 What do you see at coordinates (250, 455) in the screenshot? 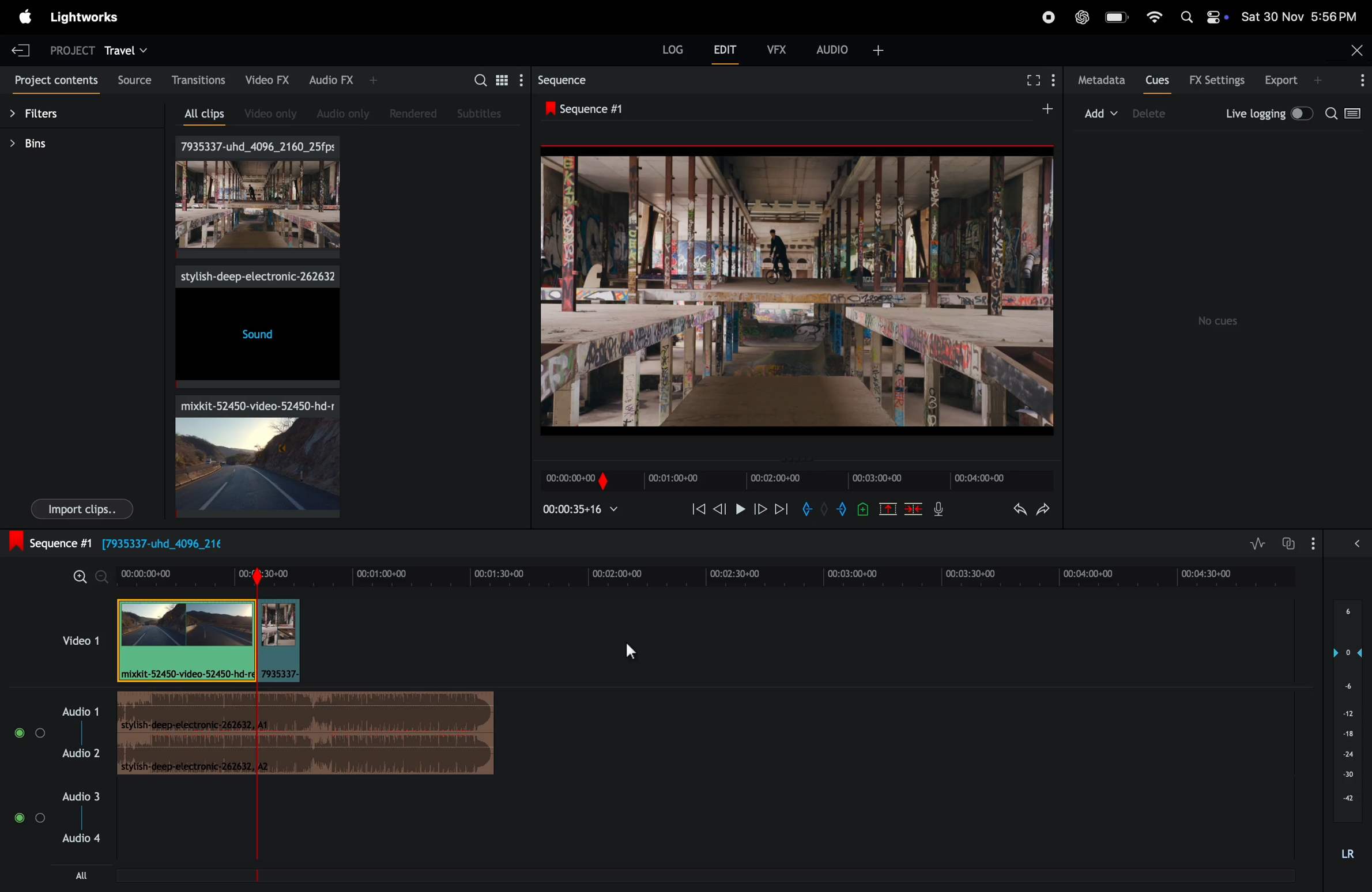
I see `video clip` at bounding box center [250, 455].